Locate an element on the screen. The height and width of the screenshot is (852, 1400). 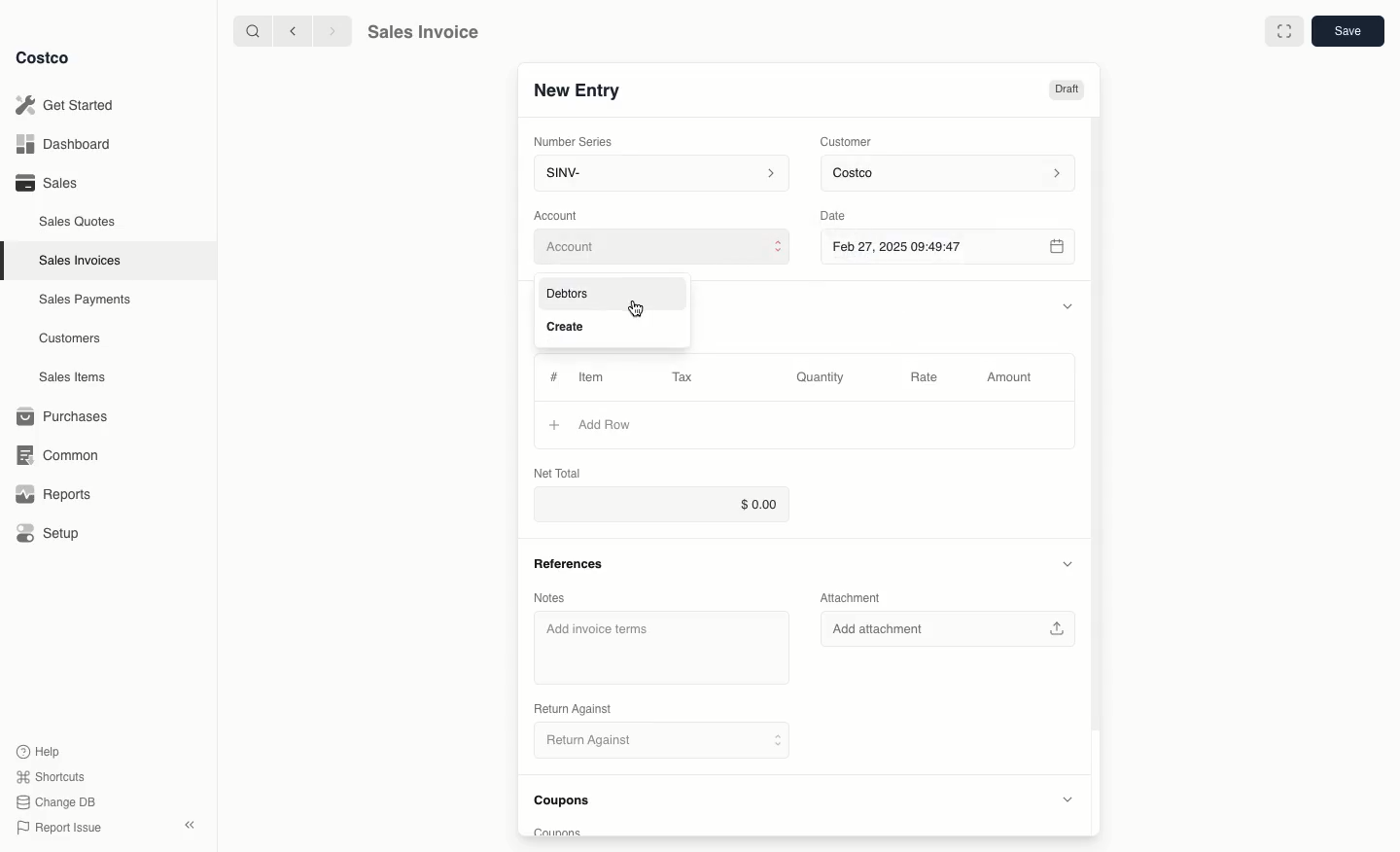
search is located at coordinates (249, 30).